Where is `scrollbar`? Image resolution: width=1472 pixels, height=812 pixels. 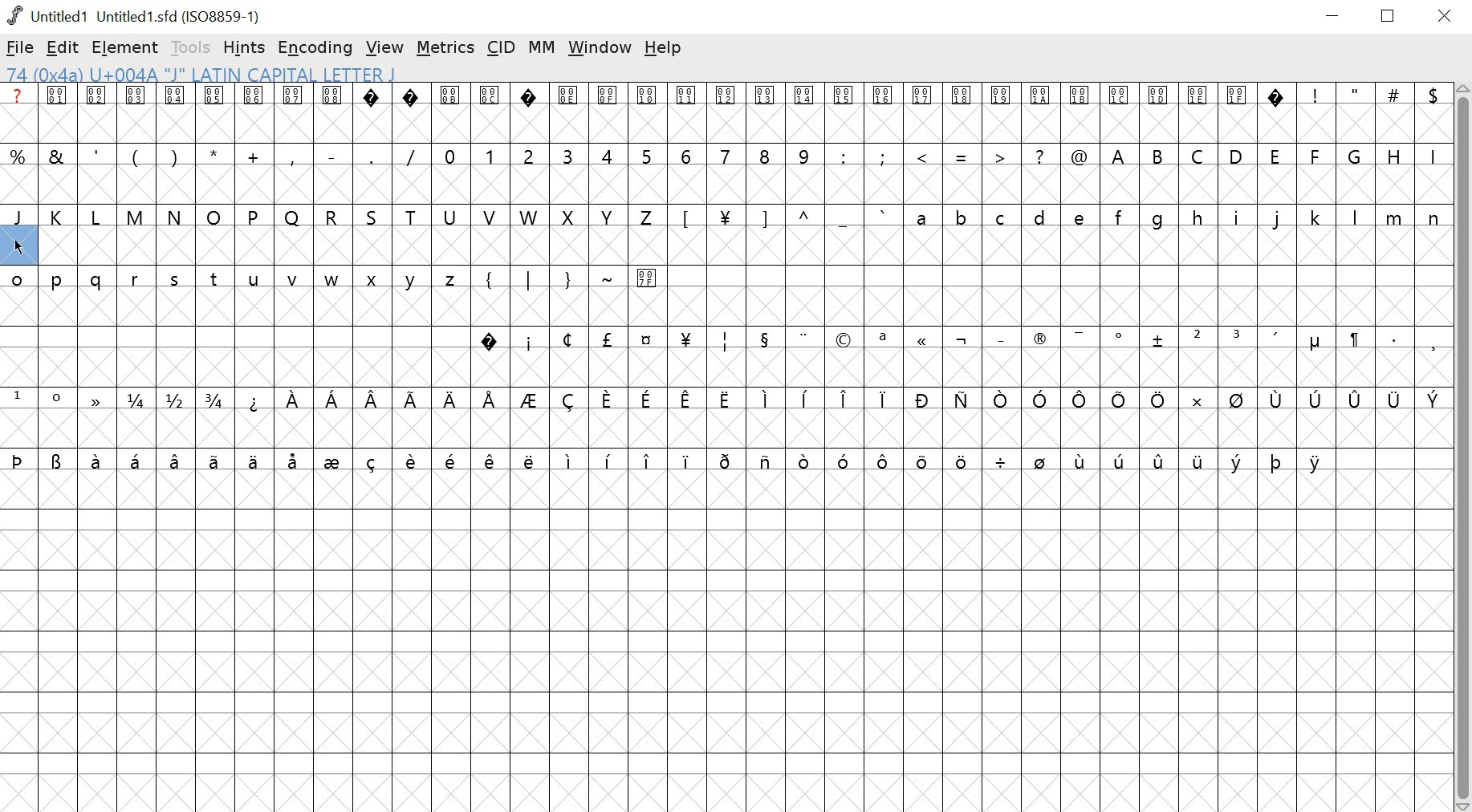 scrollbar is located at coordinates (1463, 448).